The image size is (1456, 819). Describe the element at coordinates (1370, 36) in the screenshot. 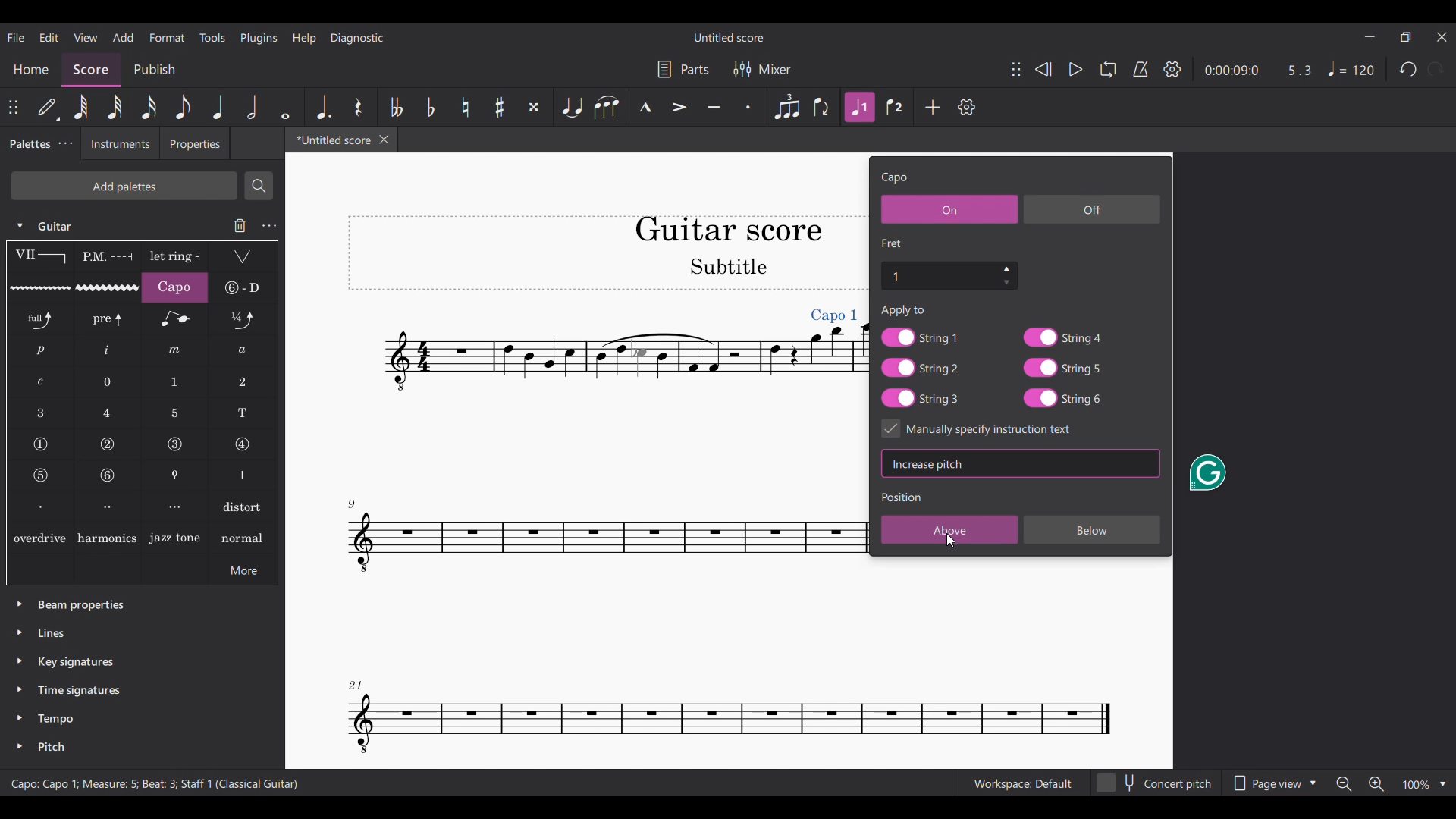

I see `Minimize` at that location.